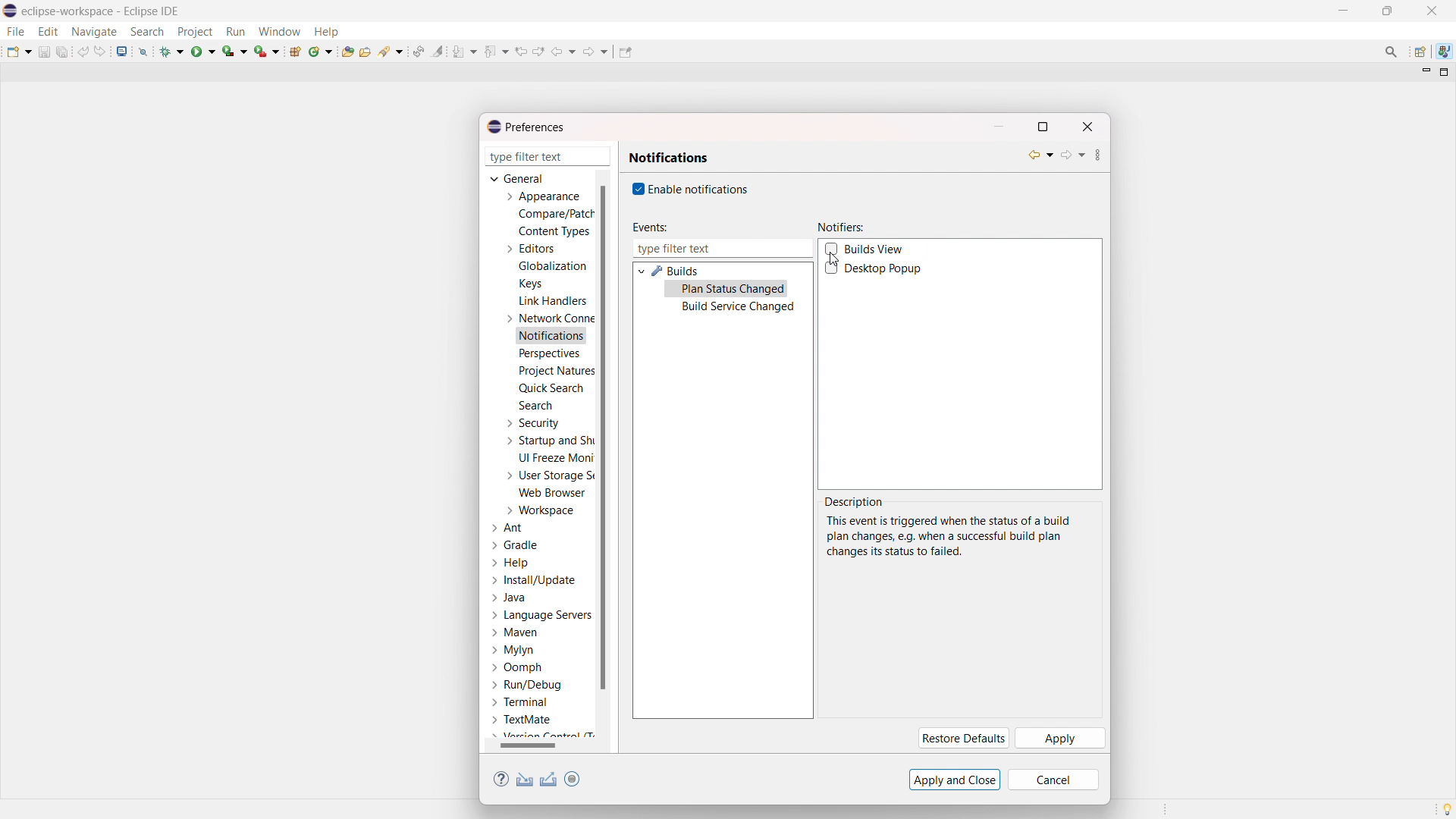  I want to click on foreward, so click(596, 51).